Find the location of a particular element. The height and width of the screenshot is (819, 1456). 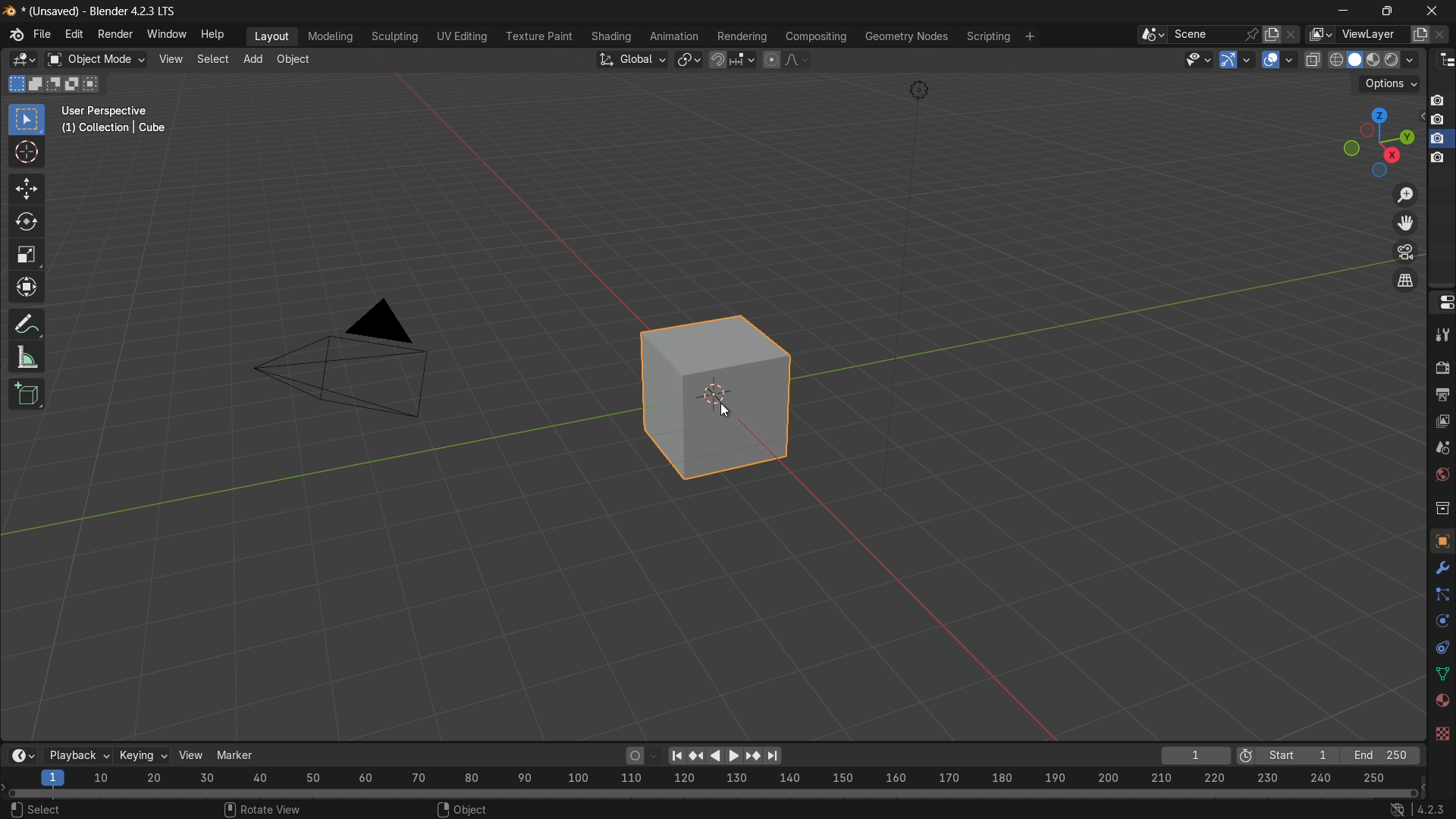

cursor is located at coordinates (27, 154).